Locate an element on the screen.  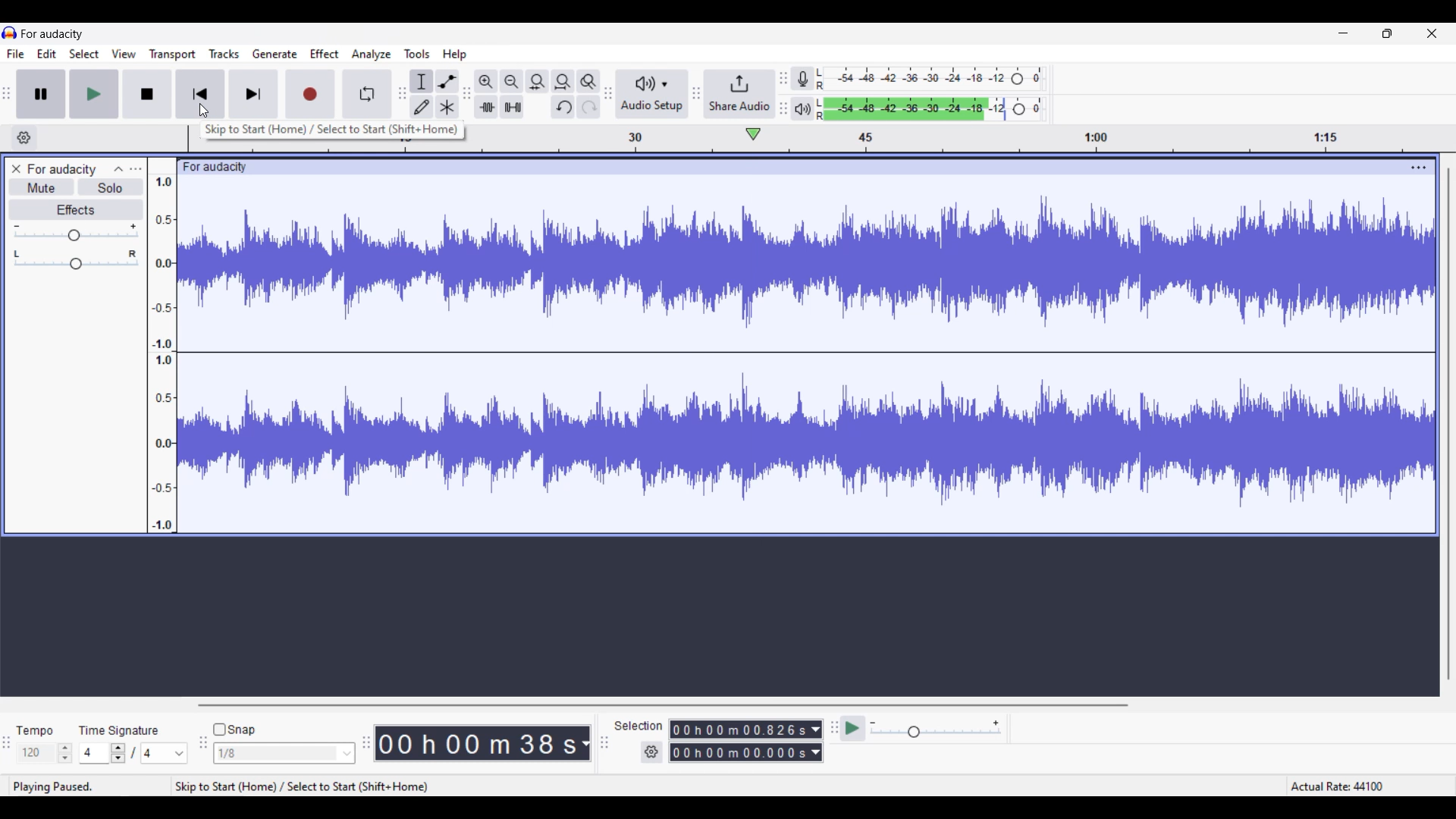
Record/Record new track is located at coordinates (311, 94).